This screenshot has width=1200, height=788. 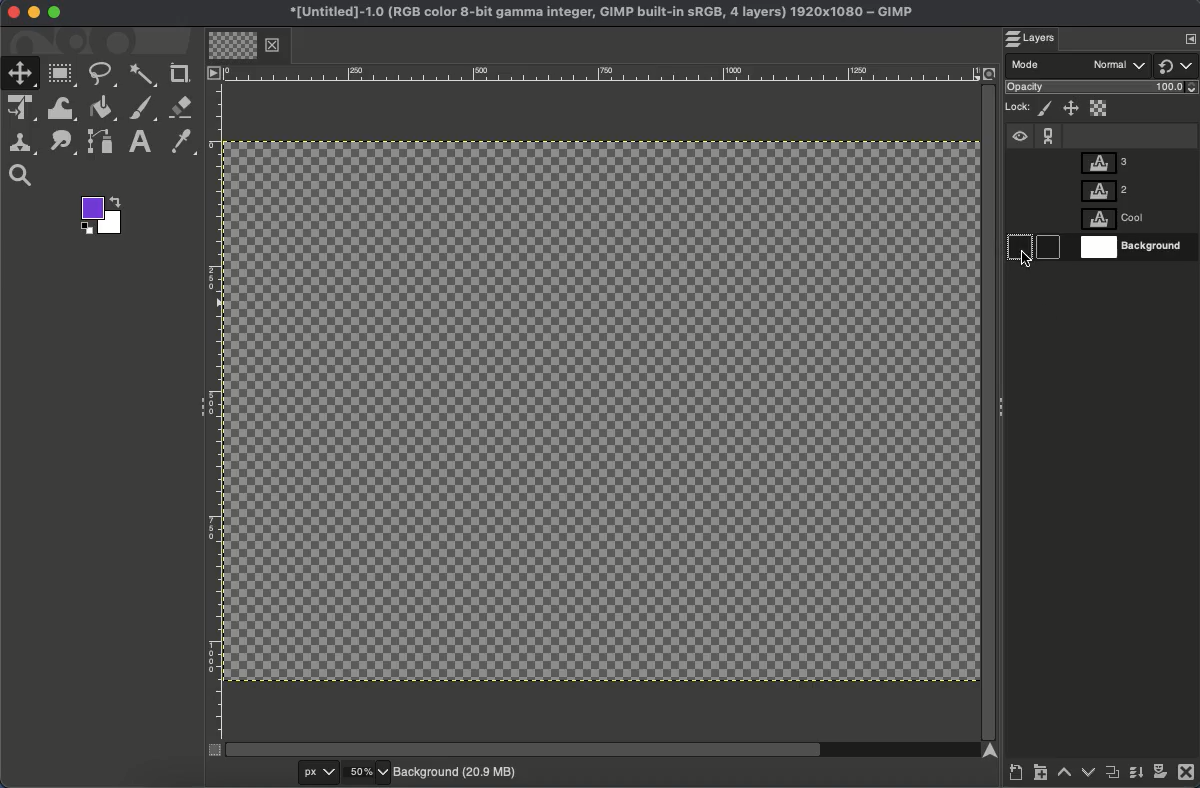 I want to click on Switch, so click(x=1177, y=65).